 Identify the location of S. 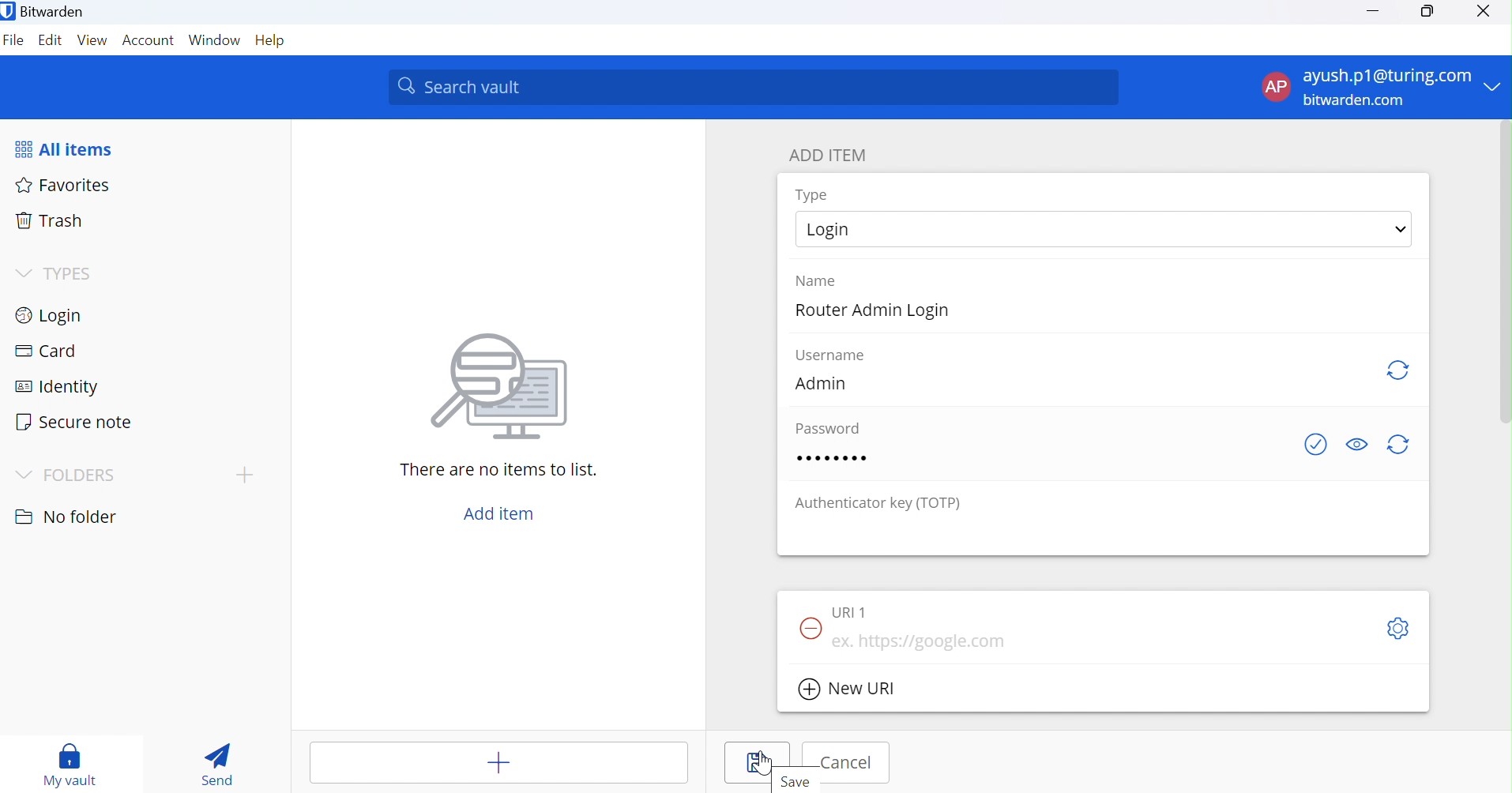
(1397, 630).